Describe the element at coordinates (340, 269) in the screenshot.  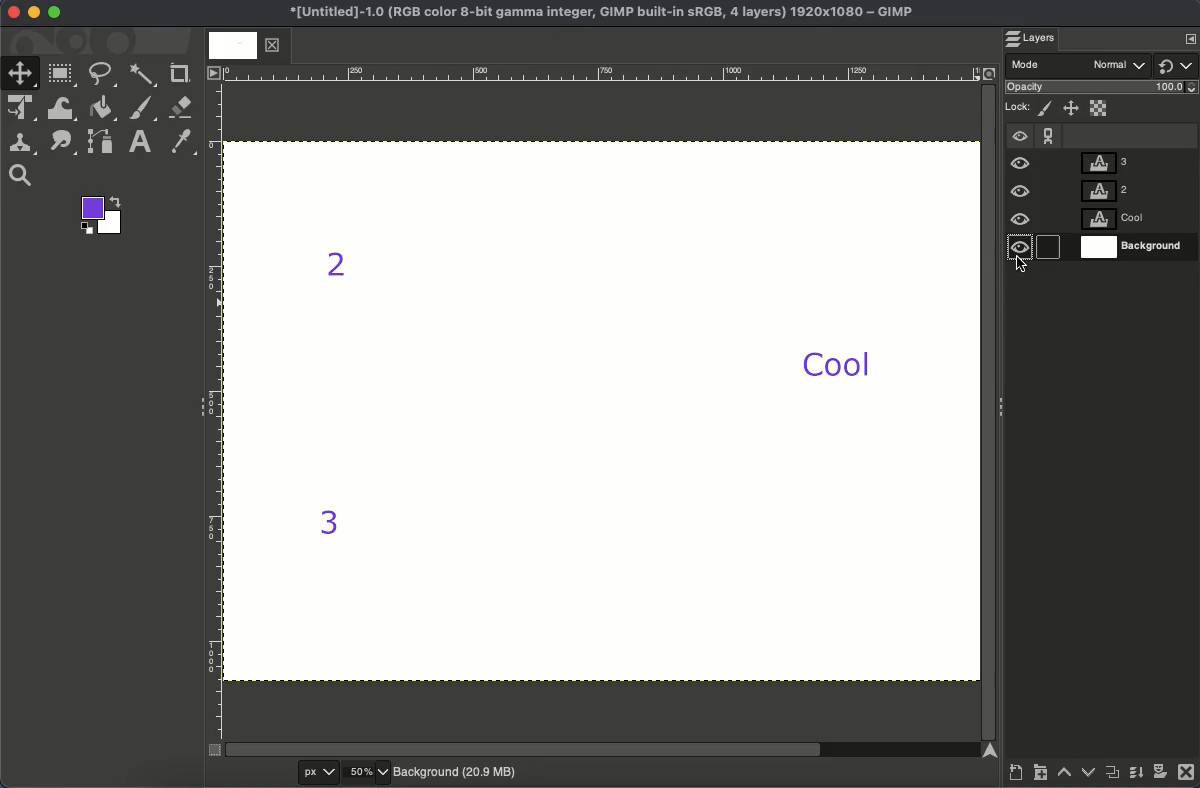
I see `2` at that location.